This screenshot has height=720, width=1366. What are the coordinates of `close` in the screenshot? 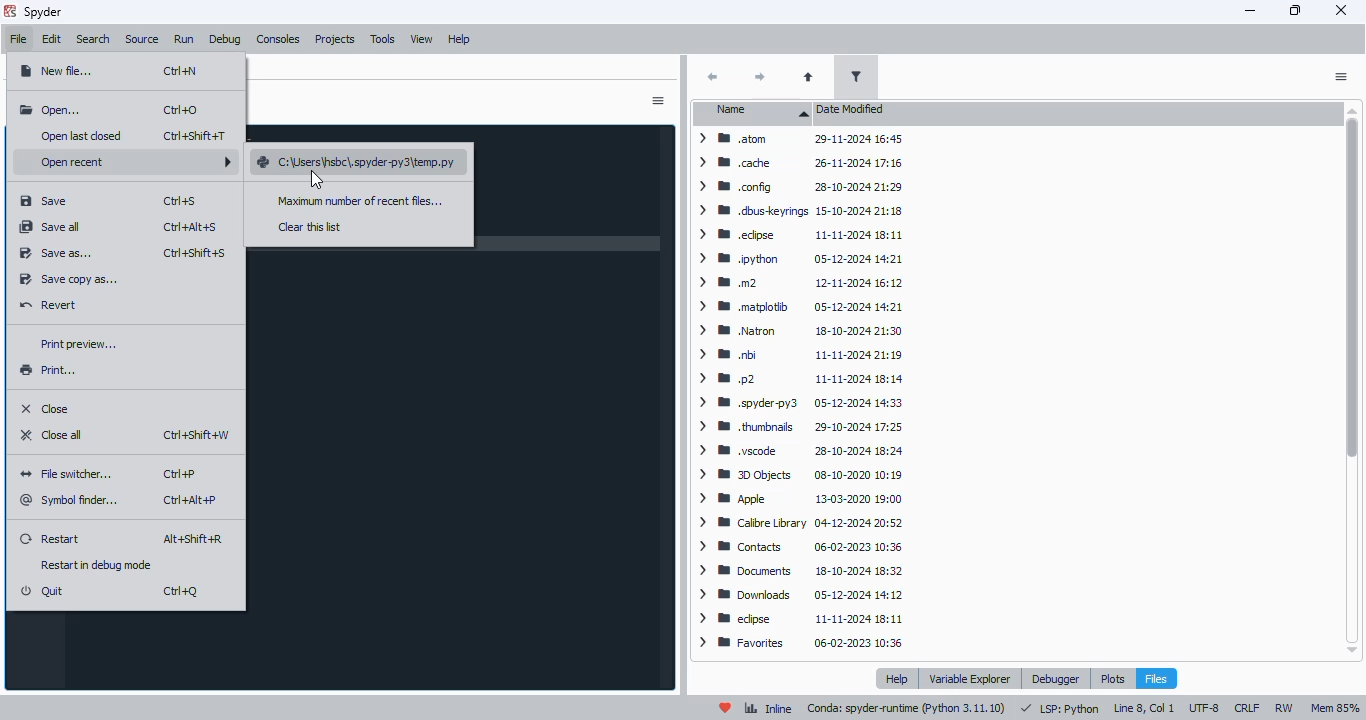 It's located at (47, 407).